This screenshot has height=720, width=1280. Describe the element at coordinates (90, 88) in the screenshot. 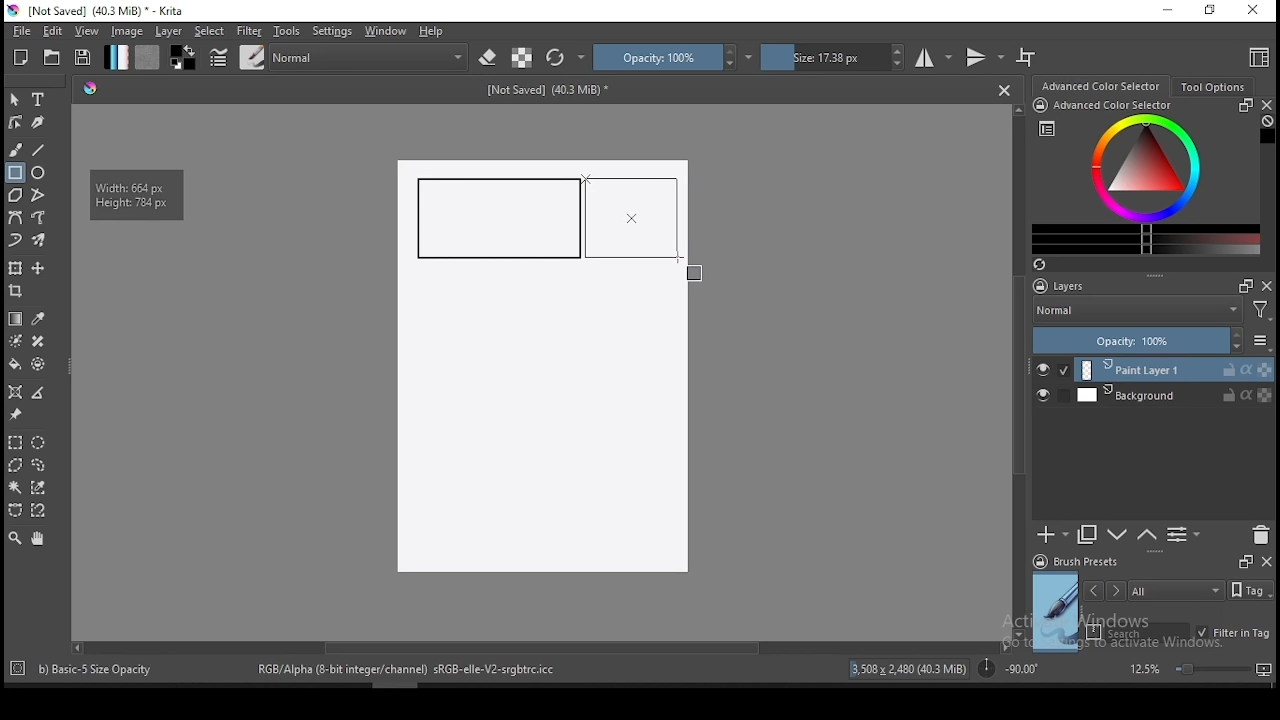

I see `Hue` at that location.